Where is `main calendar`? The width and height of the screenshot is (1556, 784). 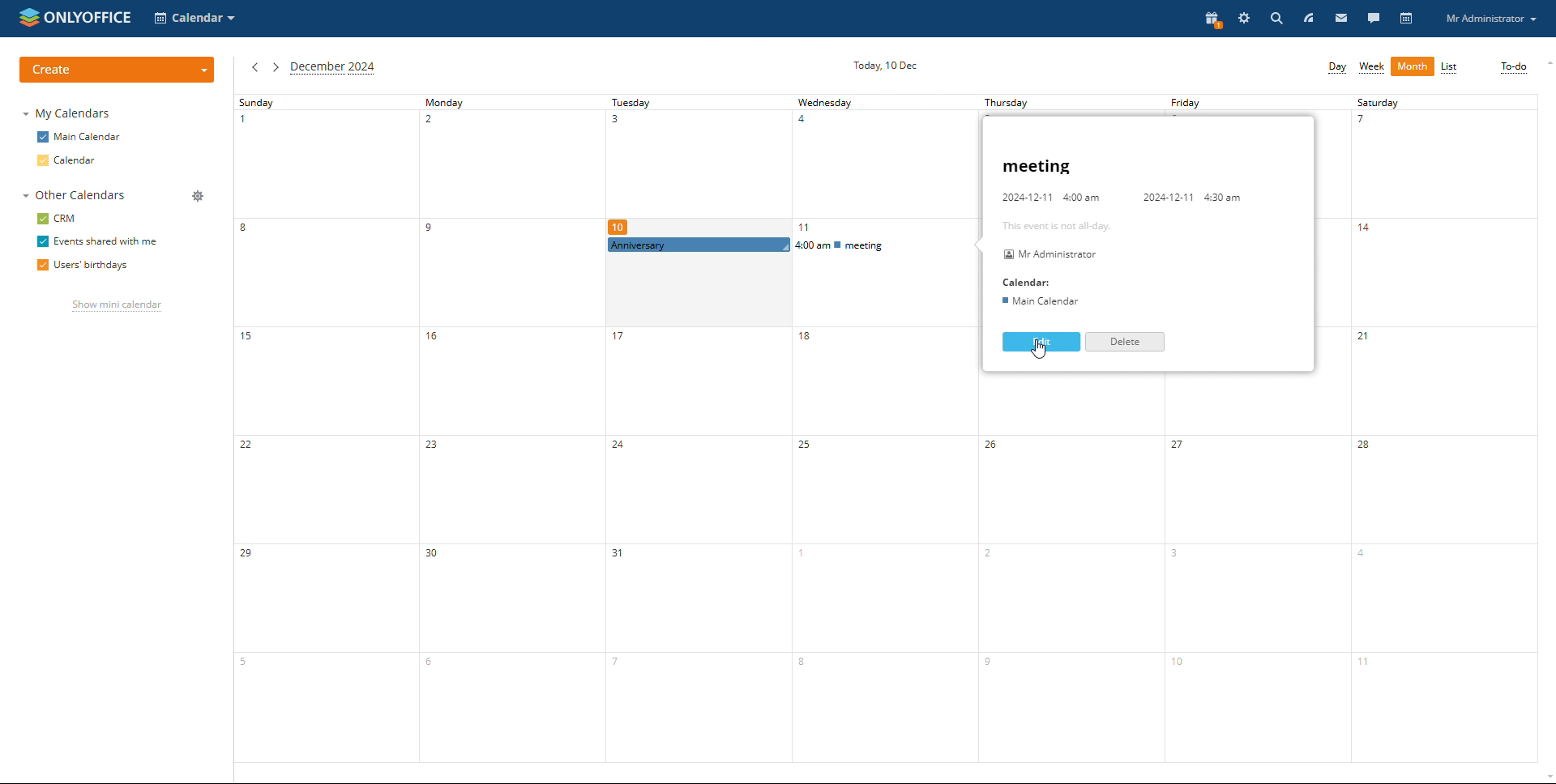
main calendar is located at coordinates (79, 137).